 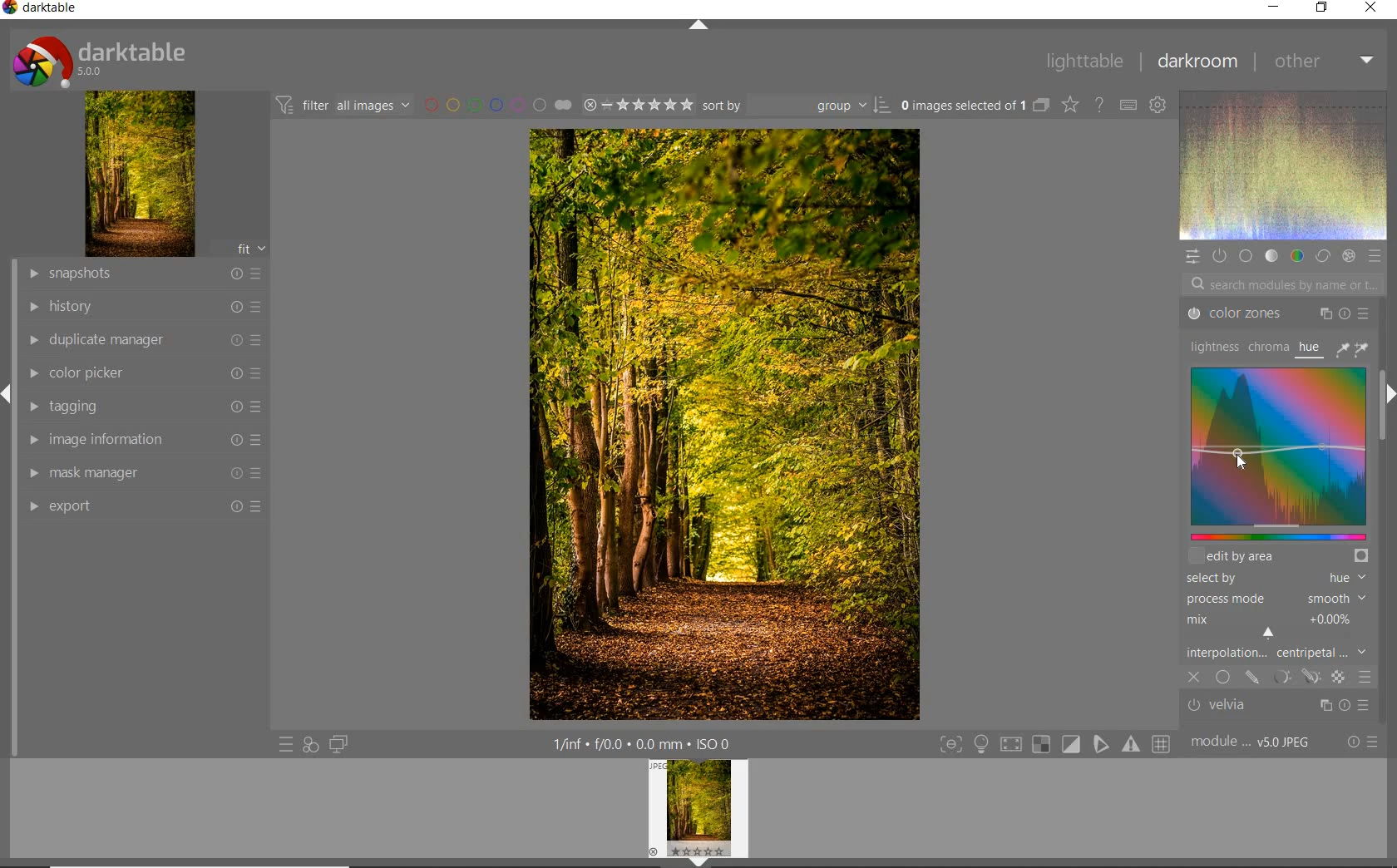 What do you see at coordinates (1284, 165) in the screenshot?
I see `WAVEFORM` at bounding box center [1284, 165].